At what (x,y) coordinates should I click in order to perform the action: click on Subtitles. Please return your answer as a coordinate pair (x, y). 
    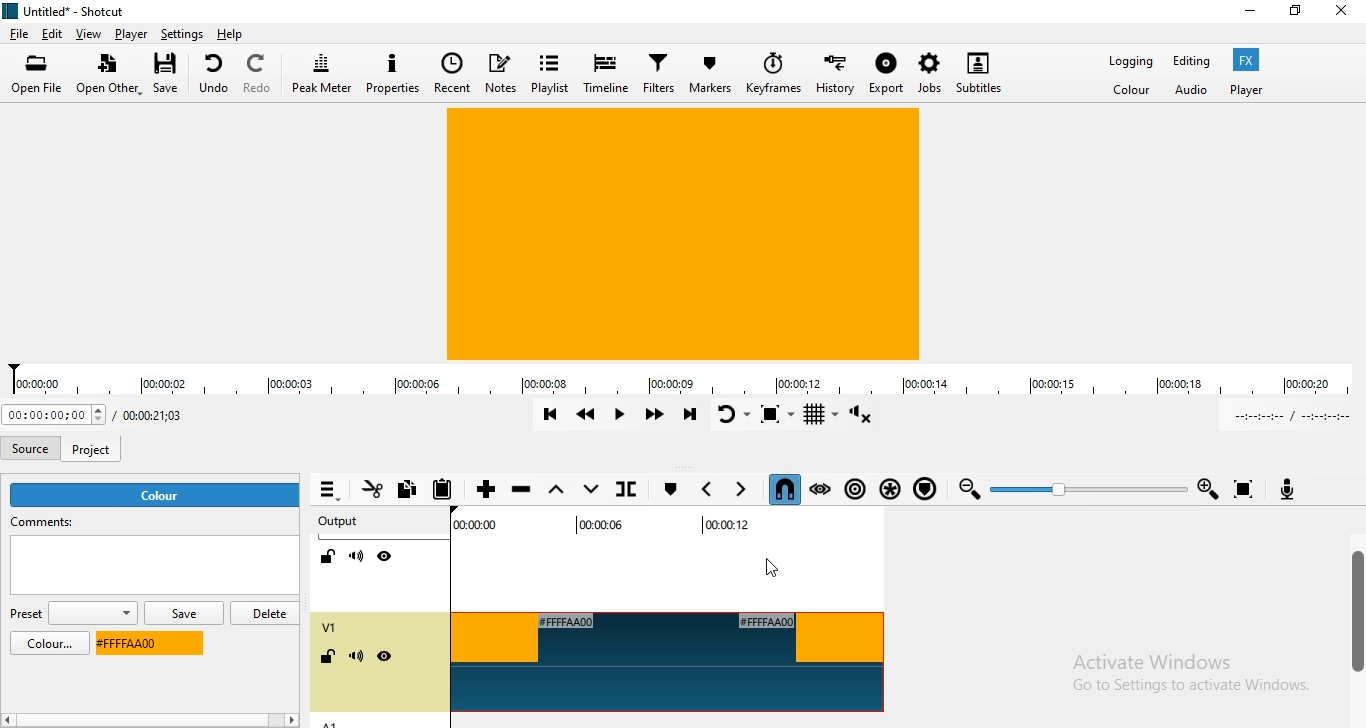
    Looking at the image, I should click on (980, 70).